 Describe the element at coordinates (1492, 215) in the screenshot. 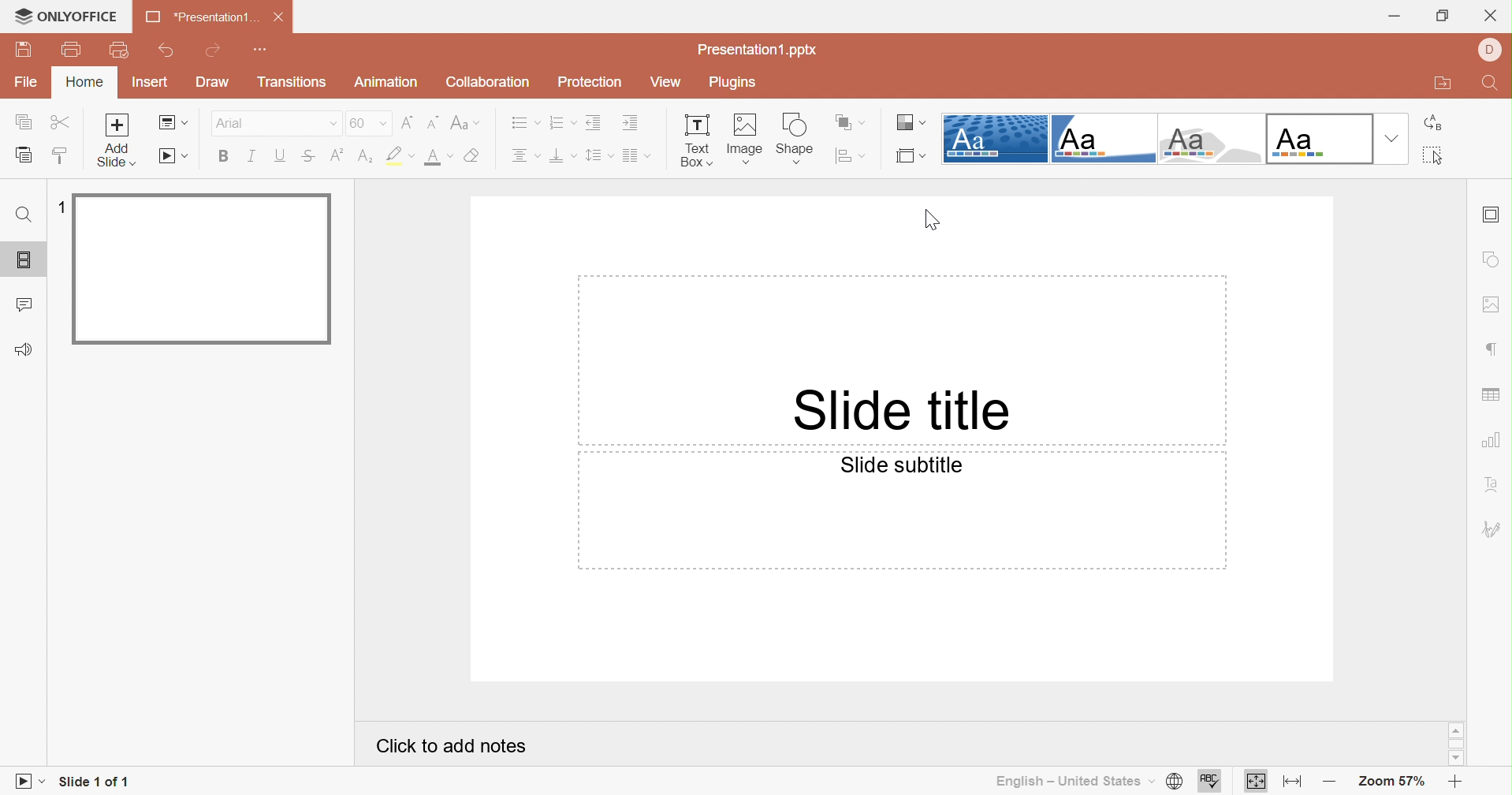

I see `Slide settings` at that location.